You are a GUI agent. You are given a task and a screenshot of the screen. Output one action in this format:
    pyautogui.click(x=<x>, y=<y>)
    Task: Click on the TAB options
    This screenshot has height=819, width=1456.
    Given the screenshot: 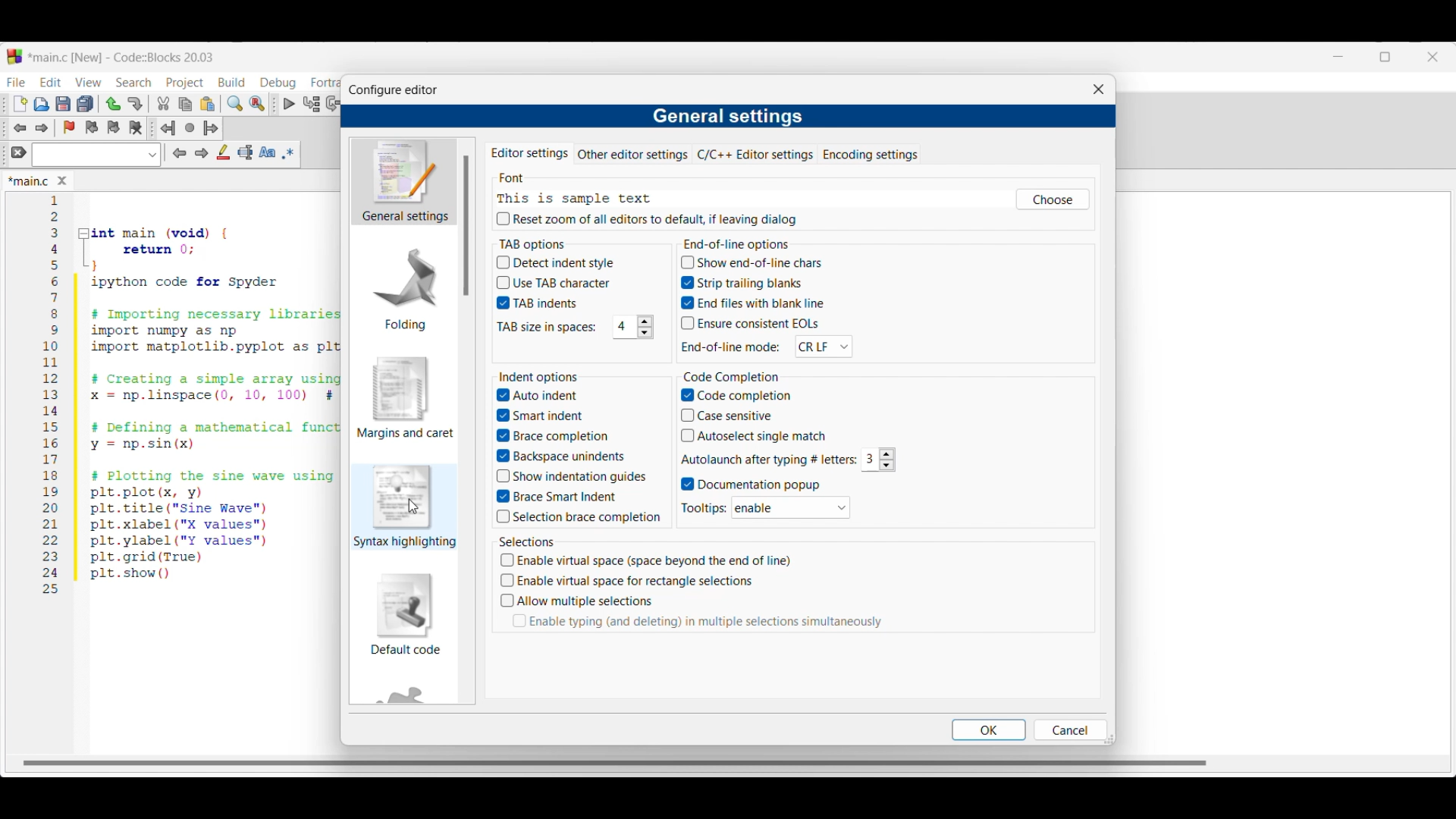 What is the action you would take?
    pyautogui.click(x=544, y=243)
    